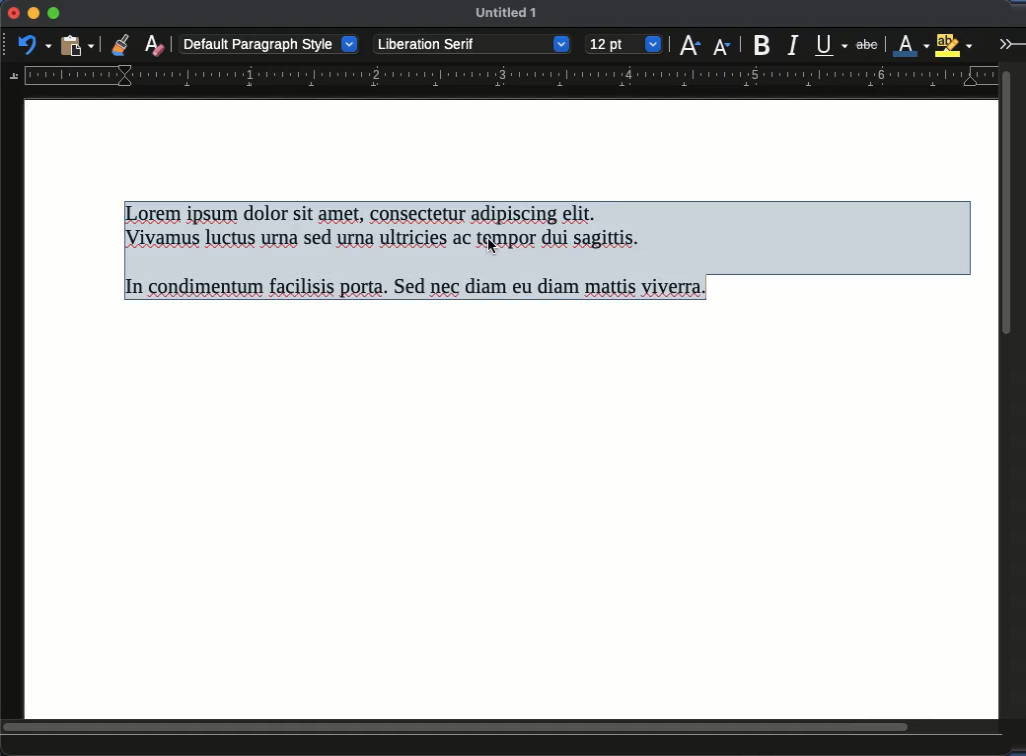  Describe the element at coordinates (764, 44) in the screenshot. I see `bold` at that location.